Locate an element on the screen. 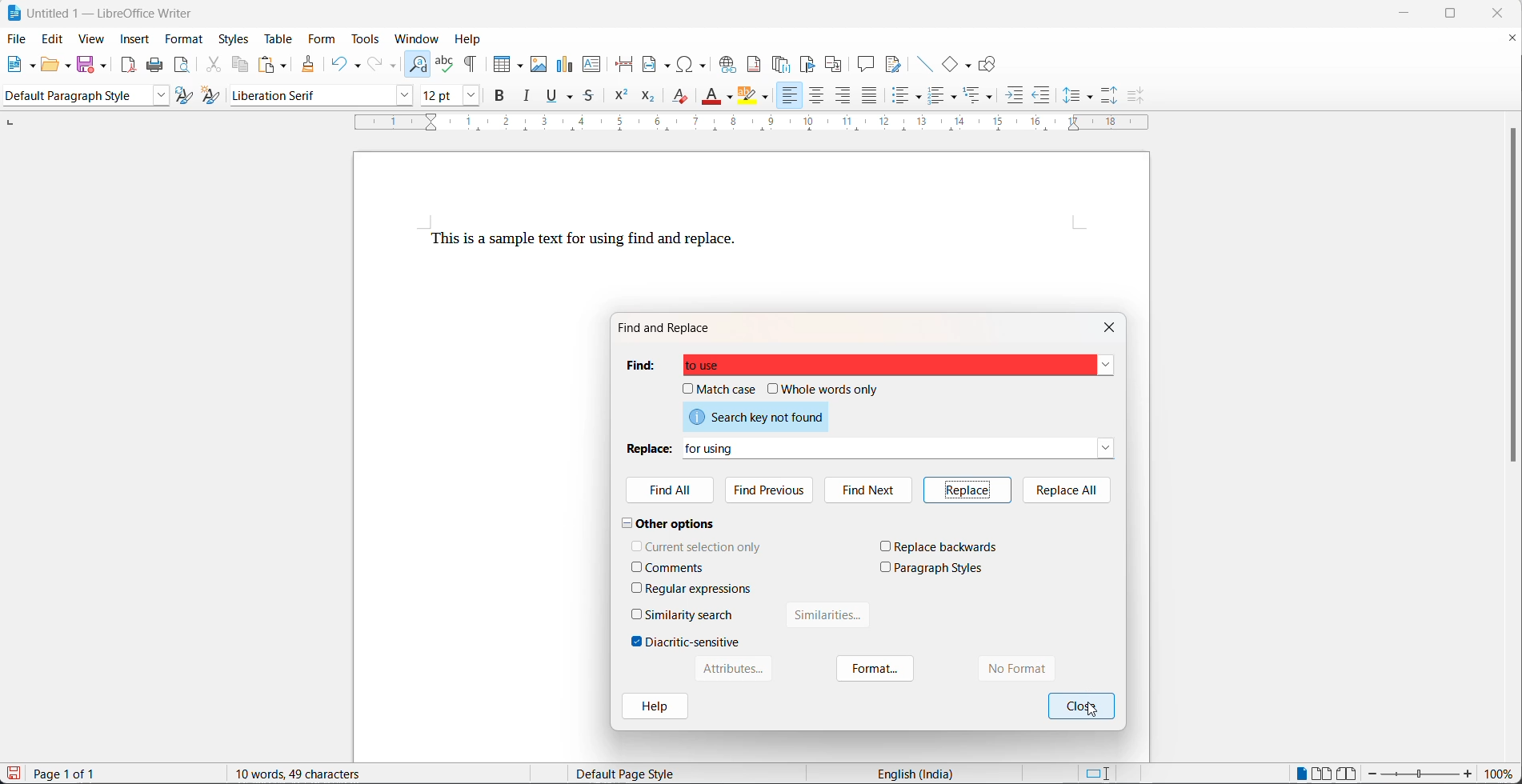 This screenshot has height=784, width=1522. close document is located at coordinates (1512, 41).